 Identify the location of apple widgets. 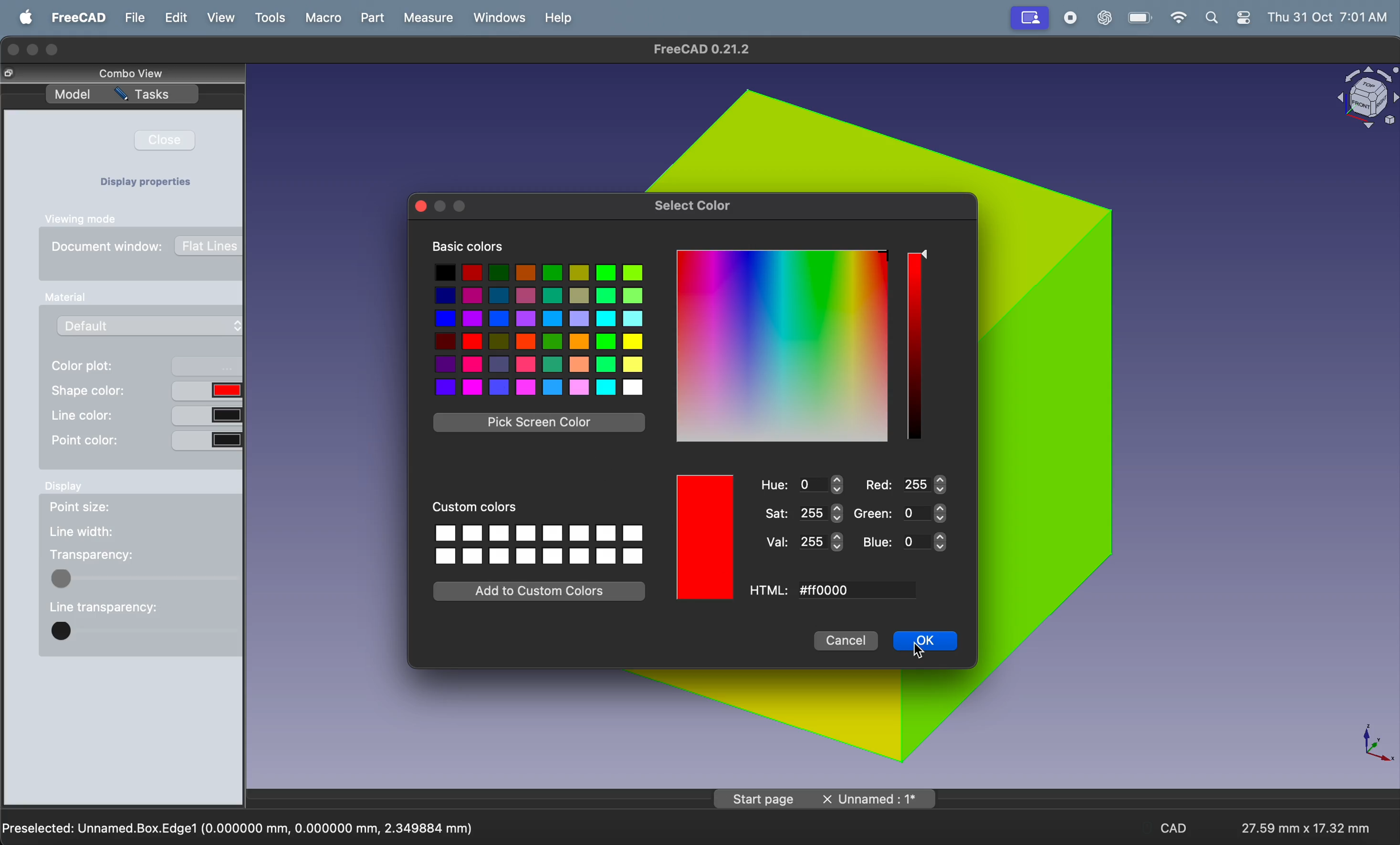
(1229, 18).